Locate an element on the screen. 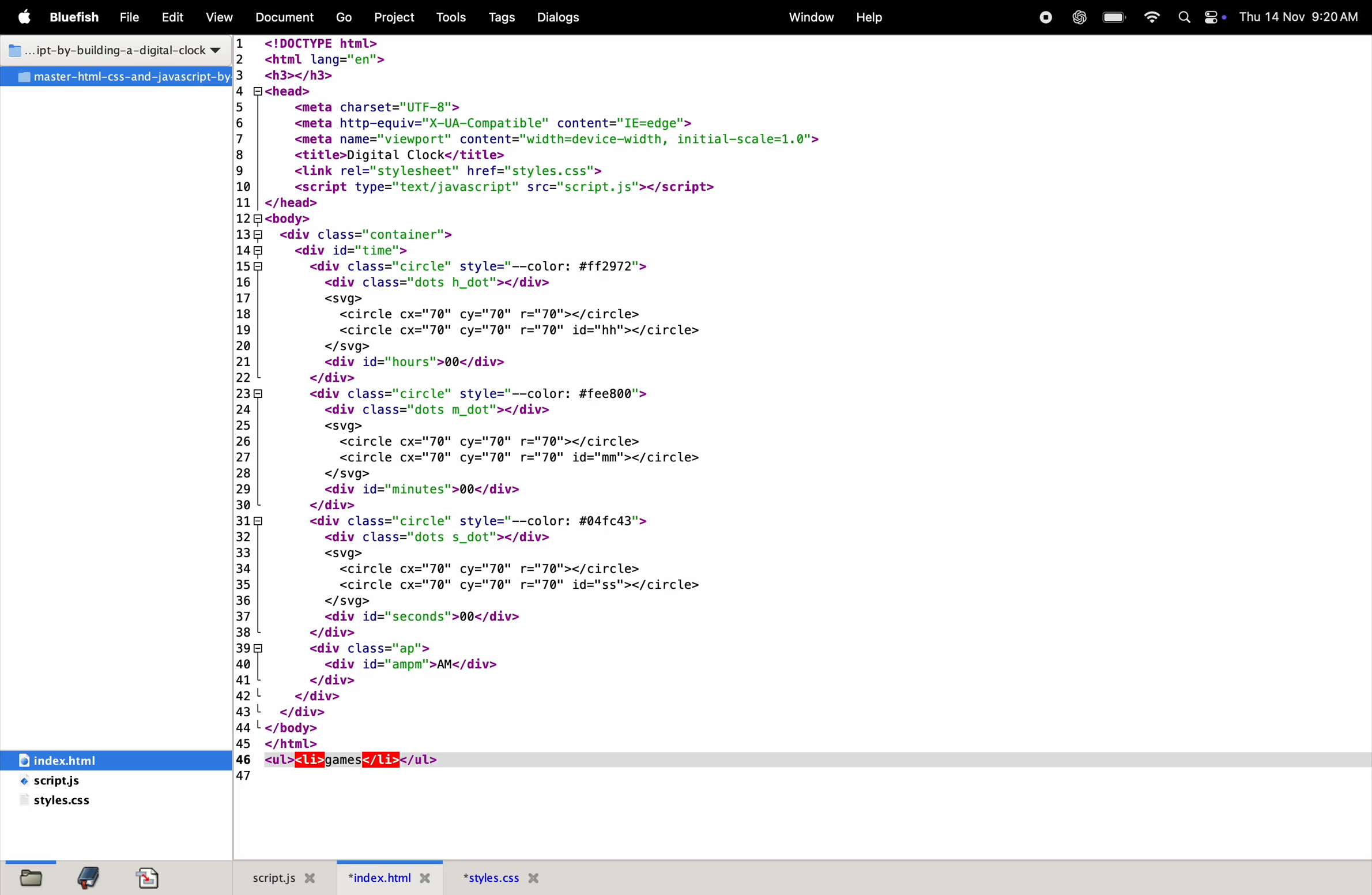 The image size is (1372, 895). tools is located at coordinates (452, 17).